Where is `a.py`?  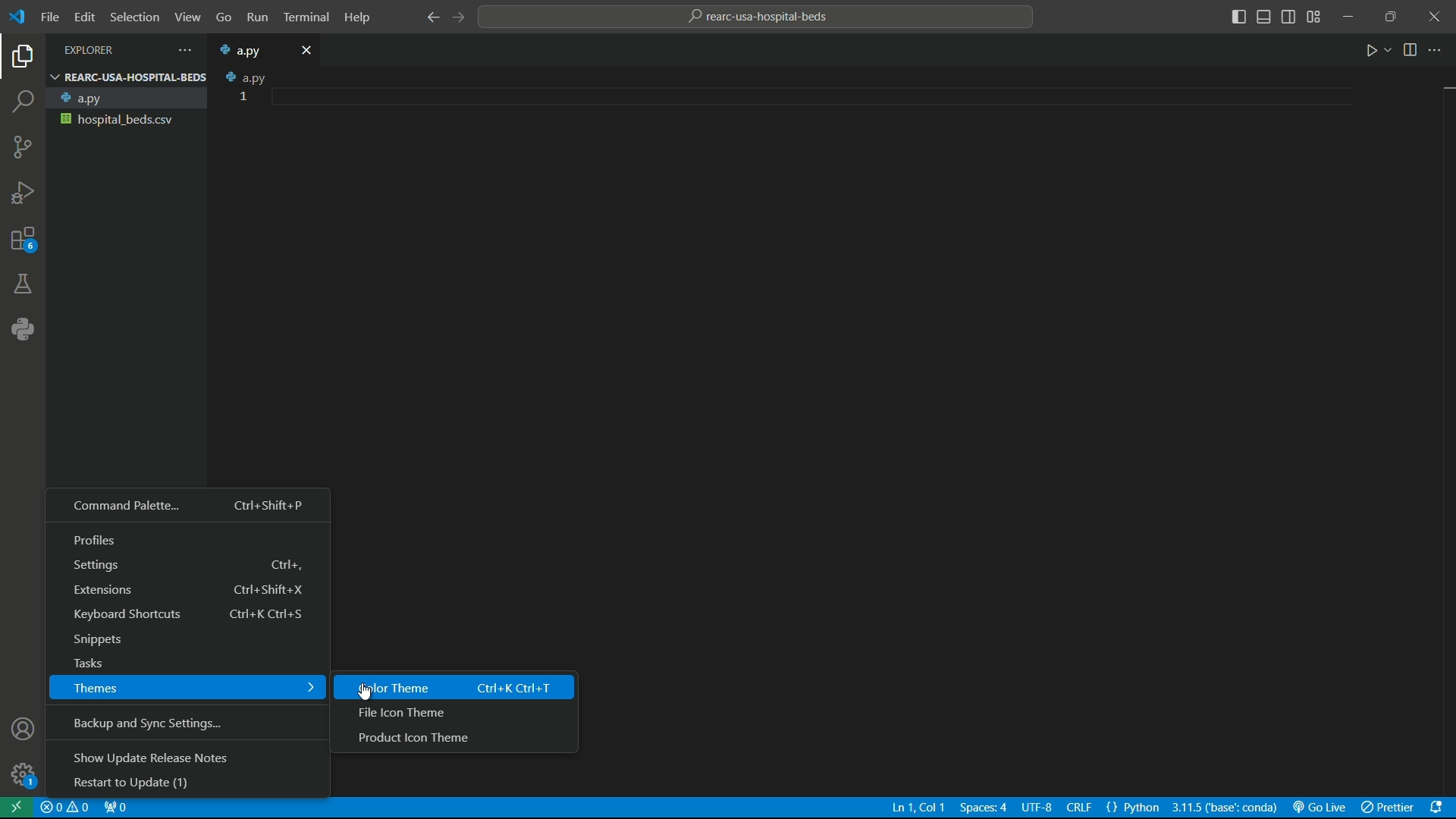 a.py is located at coordinates (249, 50).